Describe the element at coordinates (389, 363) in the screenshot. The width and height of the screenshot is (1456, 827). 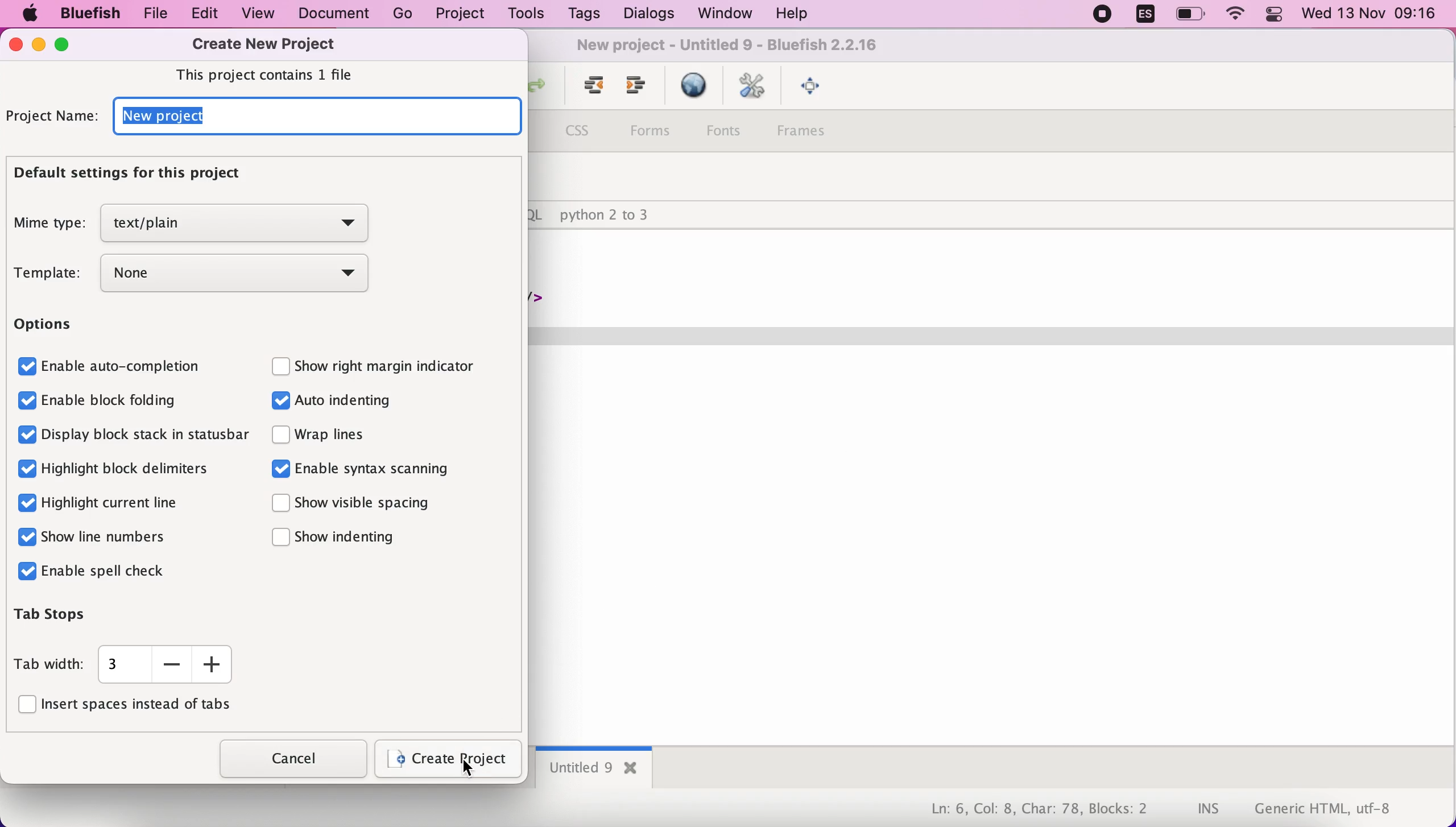
I see `show right margin indicator checkbox` at that location.